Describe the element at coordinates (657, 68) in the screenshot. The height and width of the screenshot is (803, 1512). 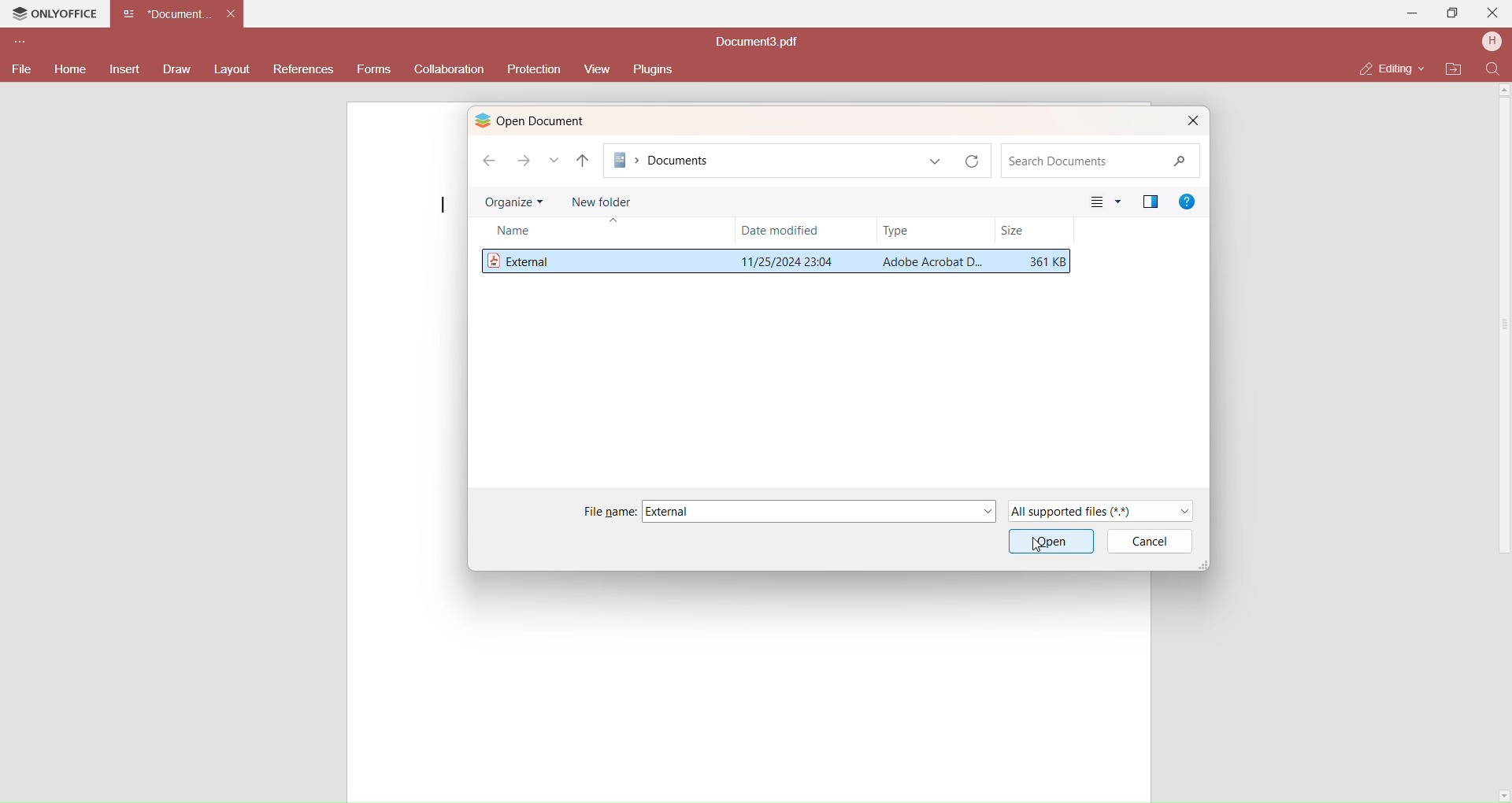
I see `Plugins` at that location.